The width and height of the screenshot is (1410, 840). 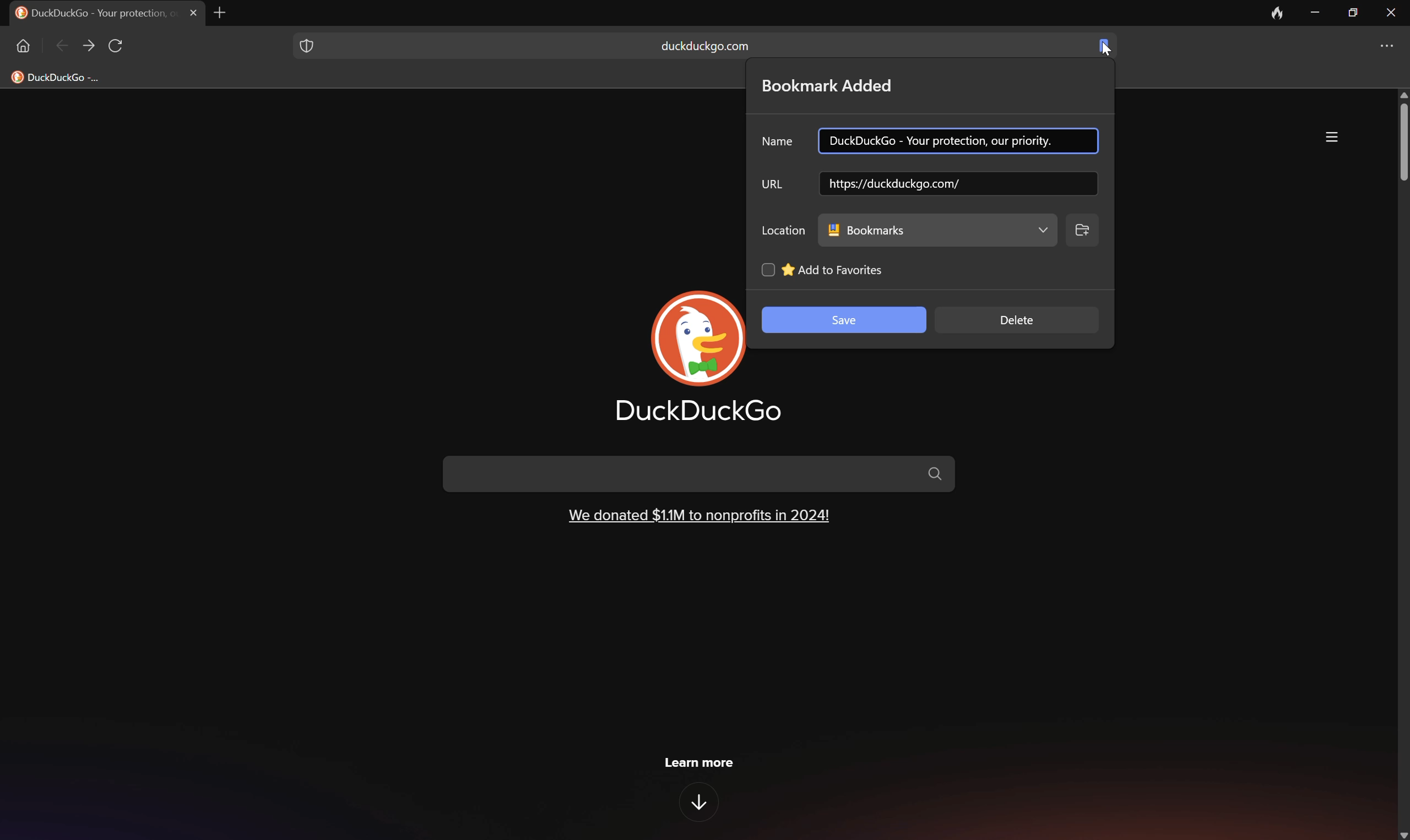 I want to click on Search, so click(x=700, y=473).